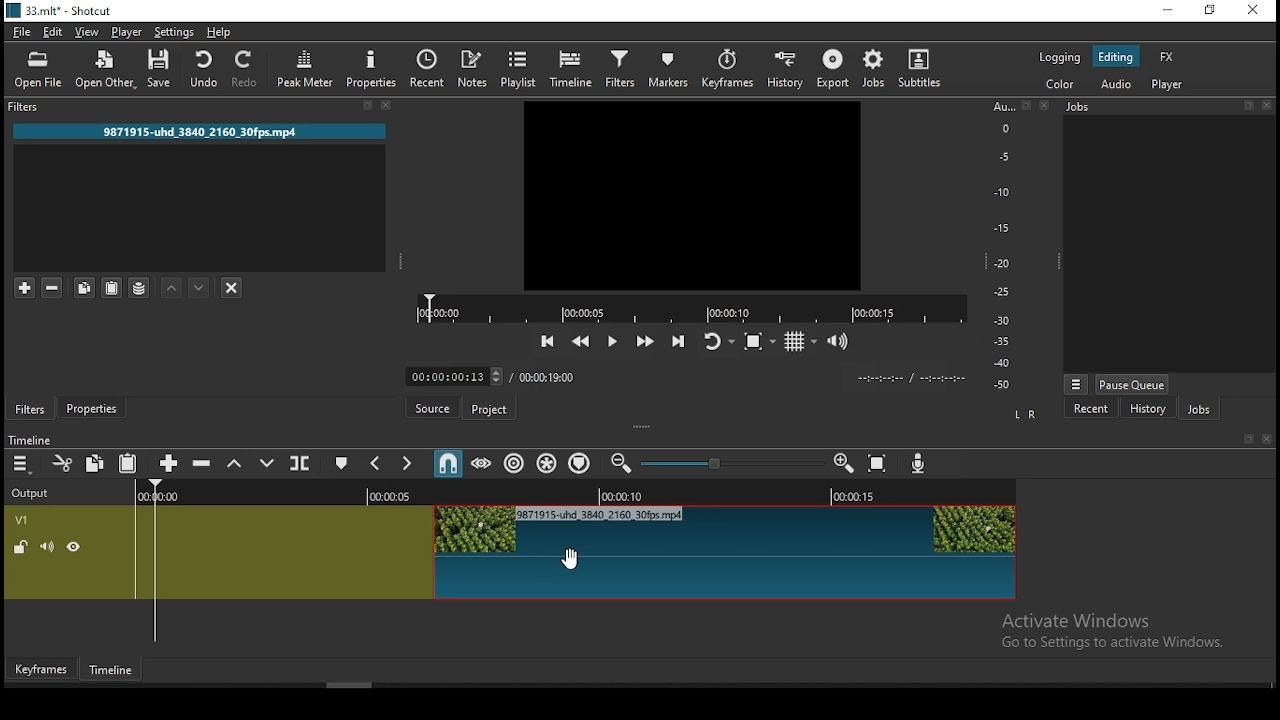  I want to click on fx, so click(1167, 57).